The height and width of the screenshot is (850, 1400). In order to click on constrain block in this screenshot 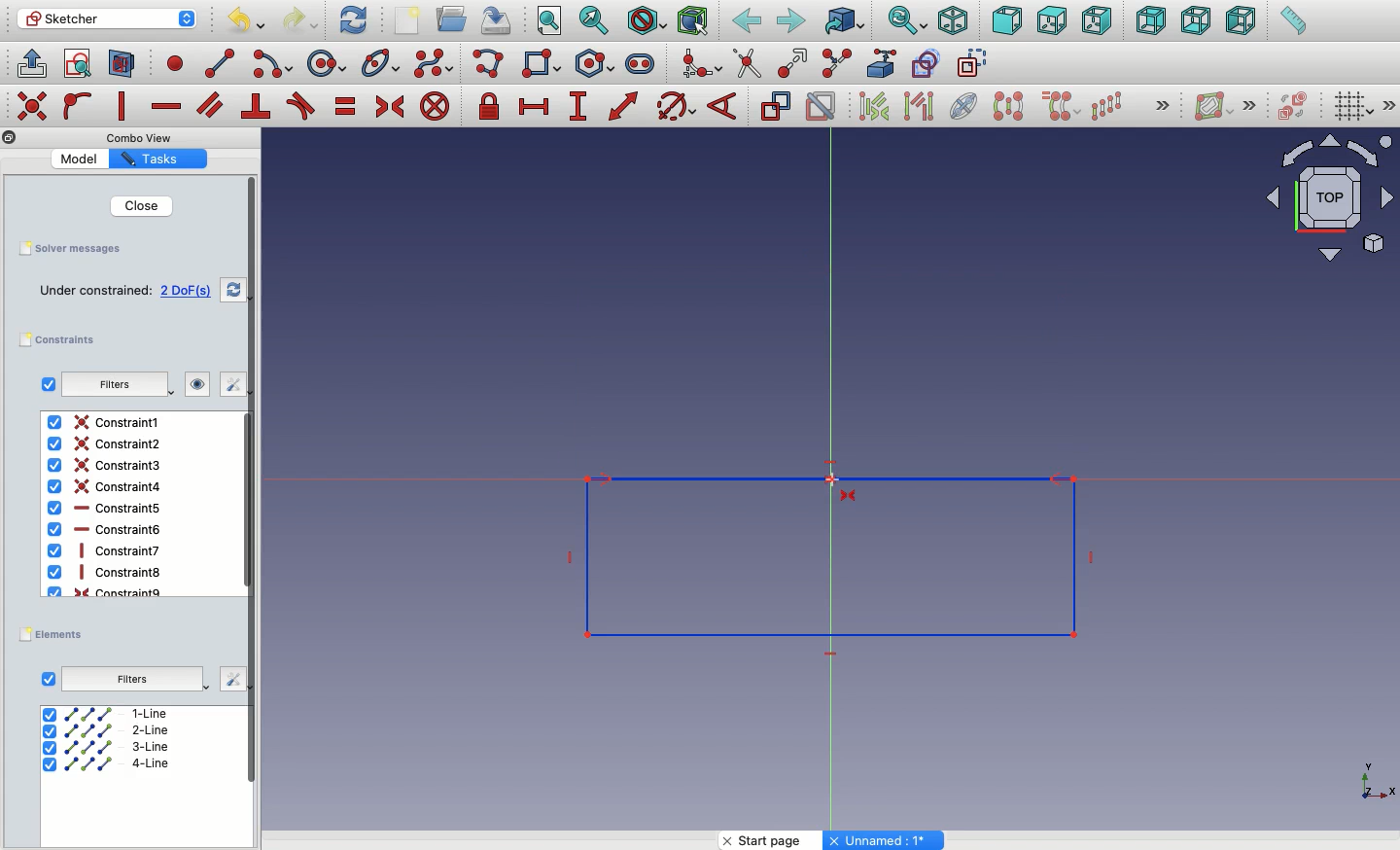, I will do `click(434, 106)`.